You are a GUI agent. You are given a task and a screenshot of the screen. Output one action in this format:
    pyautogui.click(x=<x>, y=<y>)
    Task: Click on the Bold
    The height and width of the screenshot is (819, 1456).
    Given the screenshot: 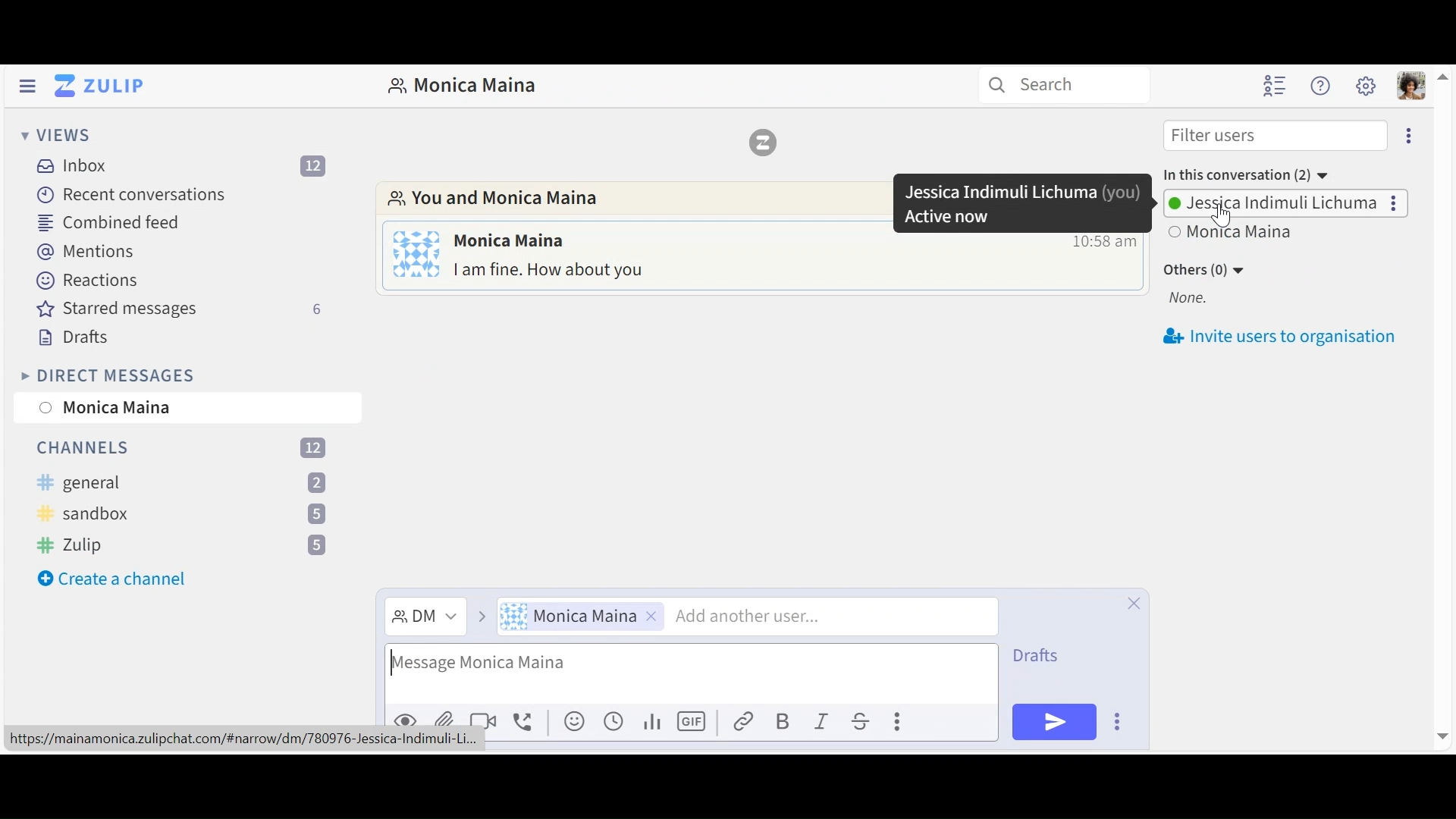 What is the action you would take?
    pyautogui.click(x=786, y=721)
    